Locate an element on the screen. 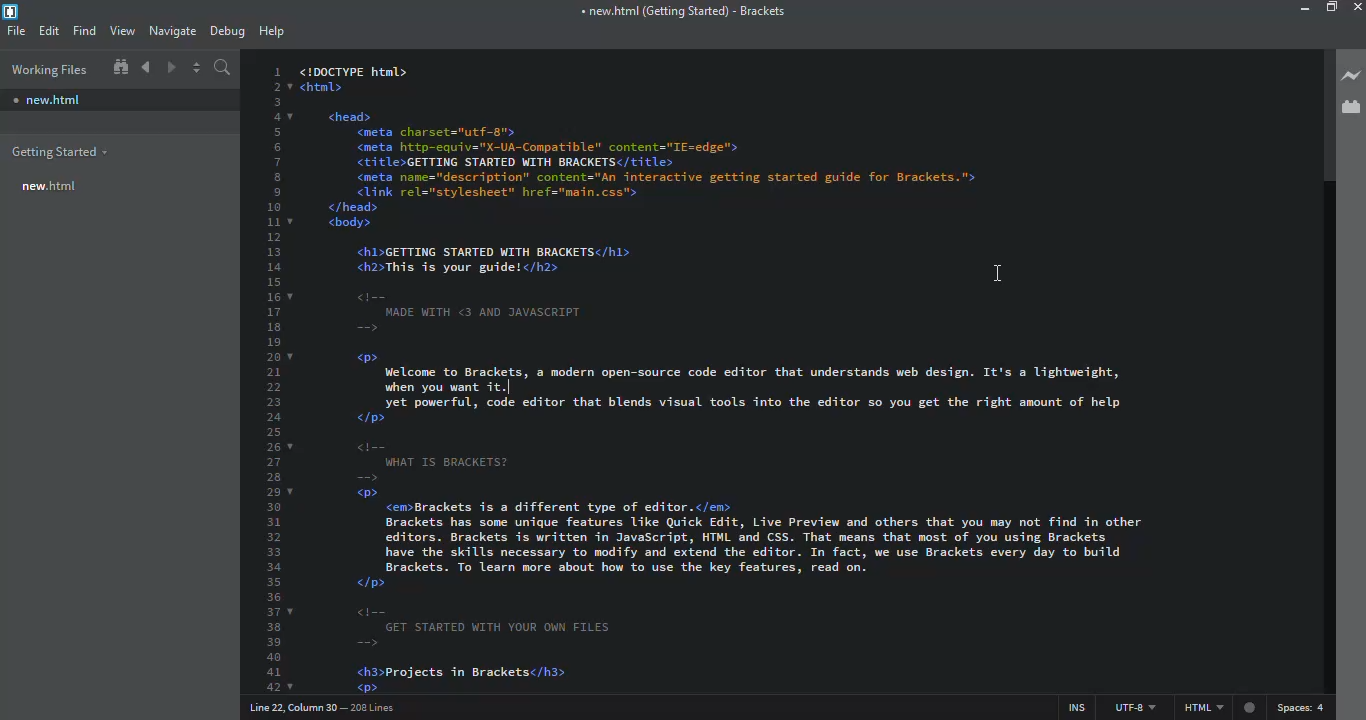  test code is located at coordinates (748, 549).